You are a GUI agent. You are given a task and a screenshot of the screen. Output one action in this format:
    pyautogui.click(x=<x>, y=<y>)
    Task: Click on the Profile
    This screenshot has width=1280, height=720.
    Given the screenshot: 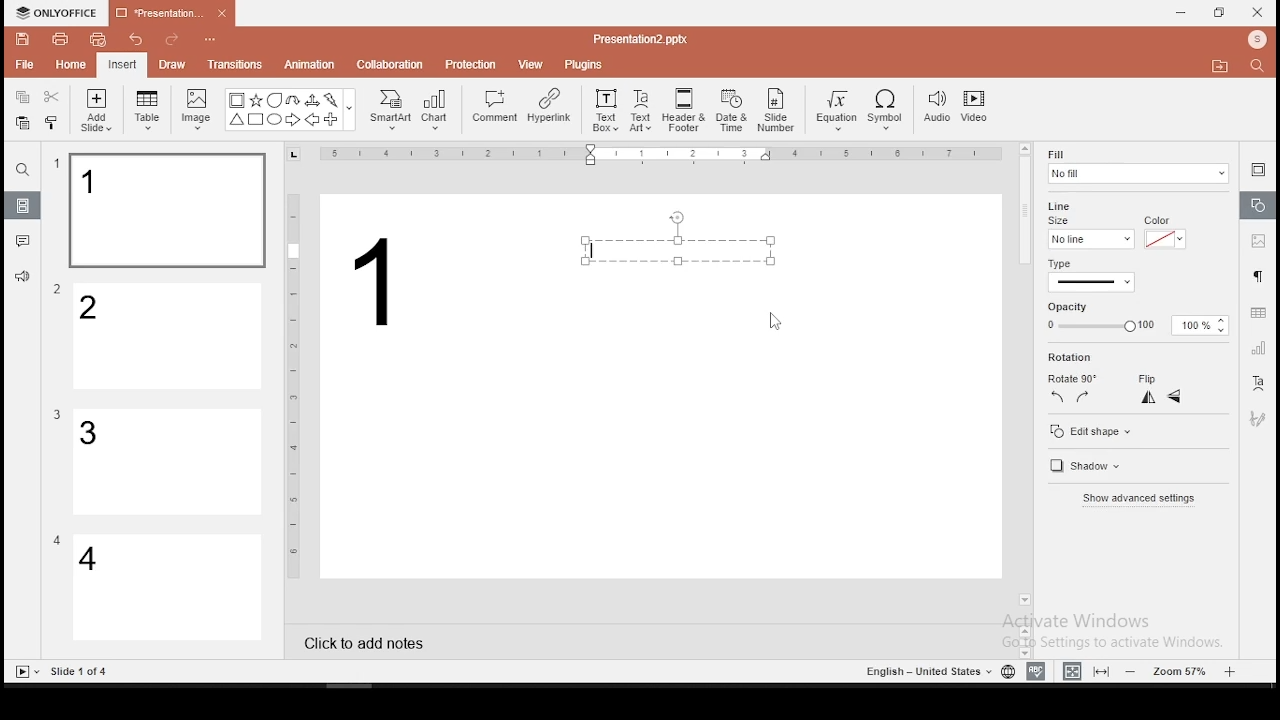 What is the action you would take?
    pyautogui.click(x=1259, y=40)
    